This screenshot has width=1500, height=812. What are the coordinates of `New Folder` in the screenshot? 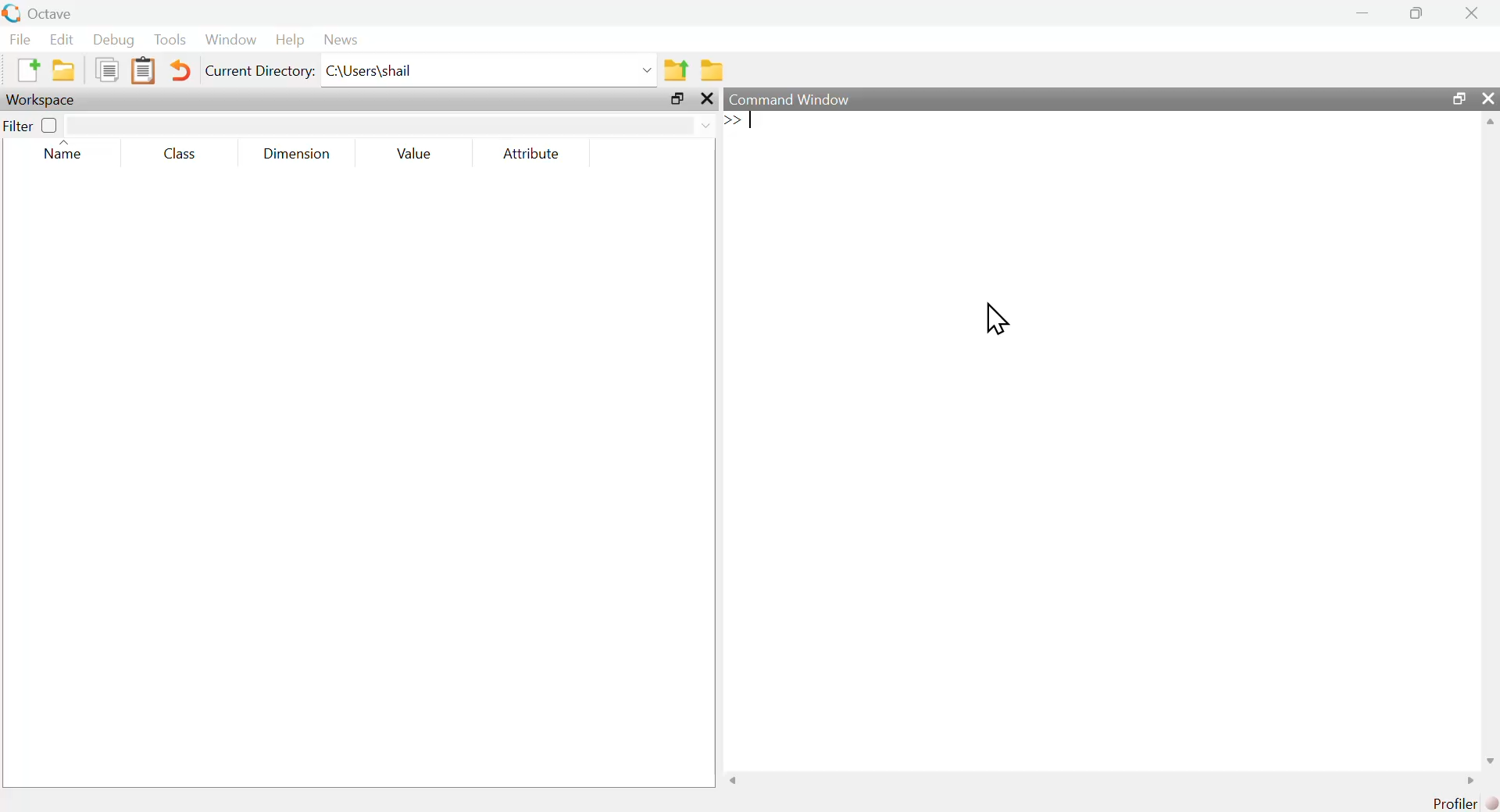 It's located at (63, 70).